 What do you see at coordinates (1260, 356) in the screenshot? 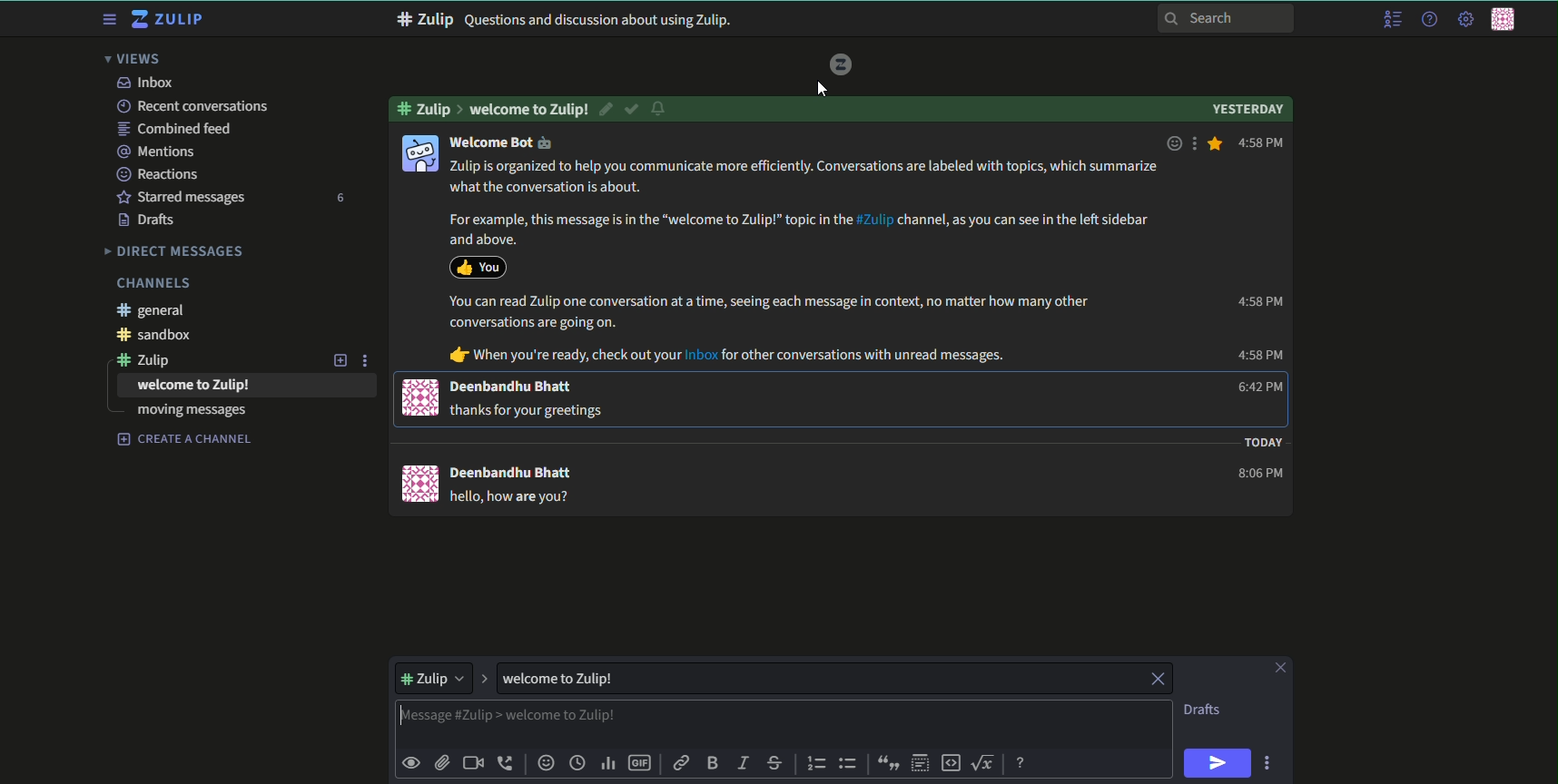
I see `4:58 PM` at bounding box center [1260, 356].